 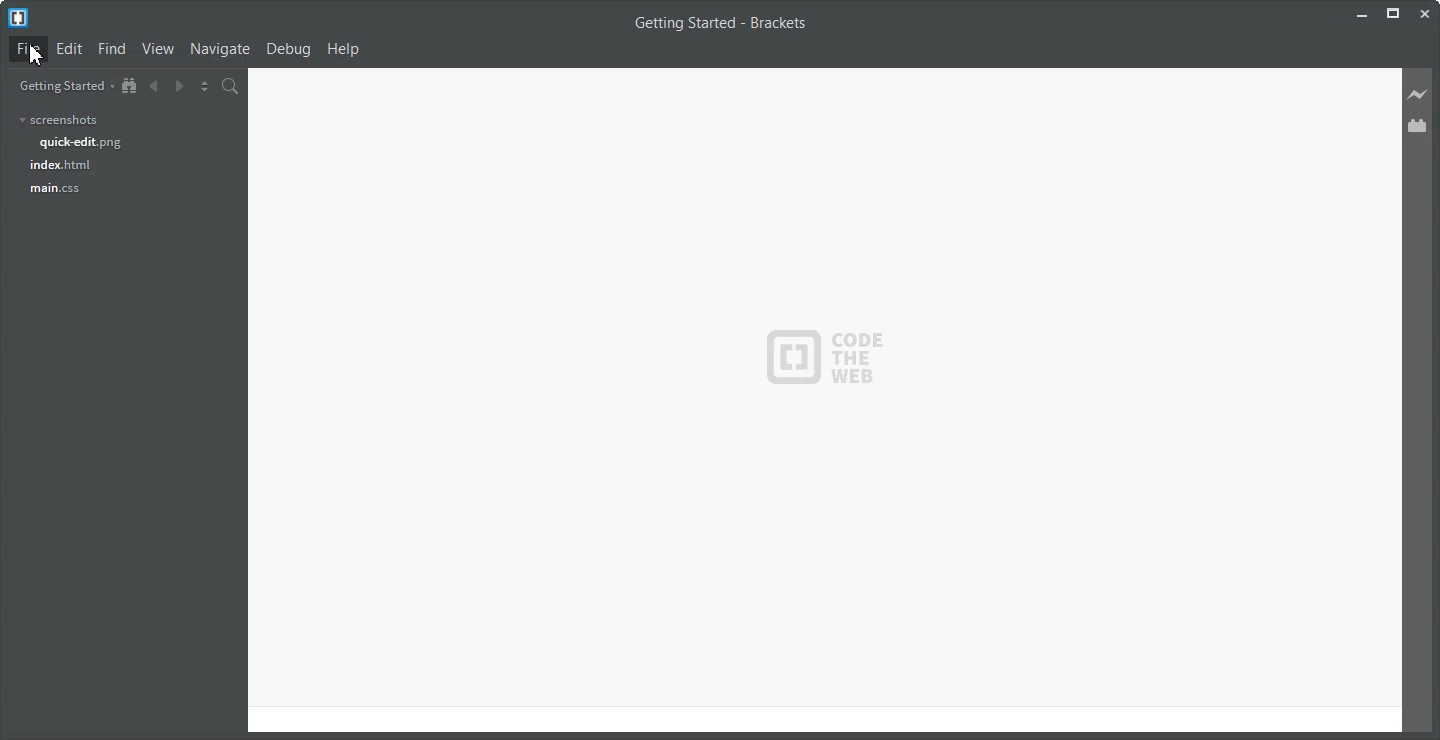 I want to click on Navigate Forward, so click(x=179, y=86).